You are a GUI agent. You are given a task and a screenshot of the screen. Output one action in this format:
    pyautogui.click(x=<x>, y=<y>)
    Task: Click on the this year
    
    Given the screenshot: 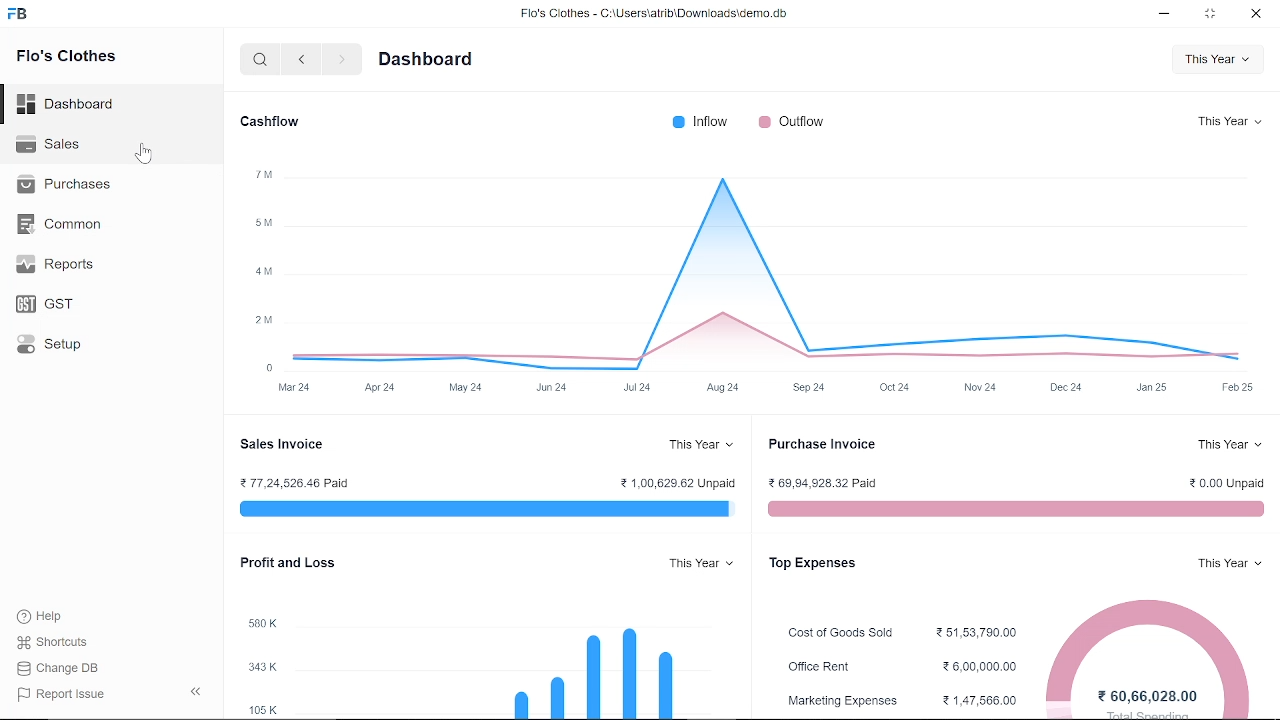 What is the action you would take?
    pyautogui.click(x=1215, y=62)
    